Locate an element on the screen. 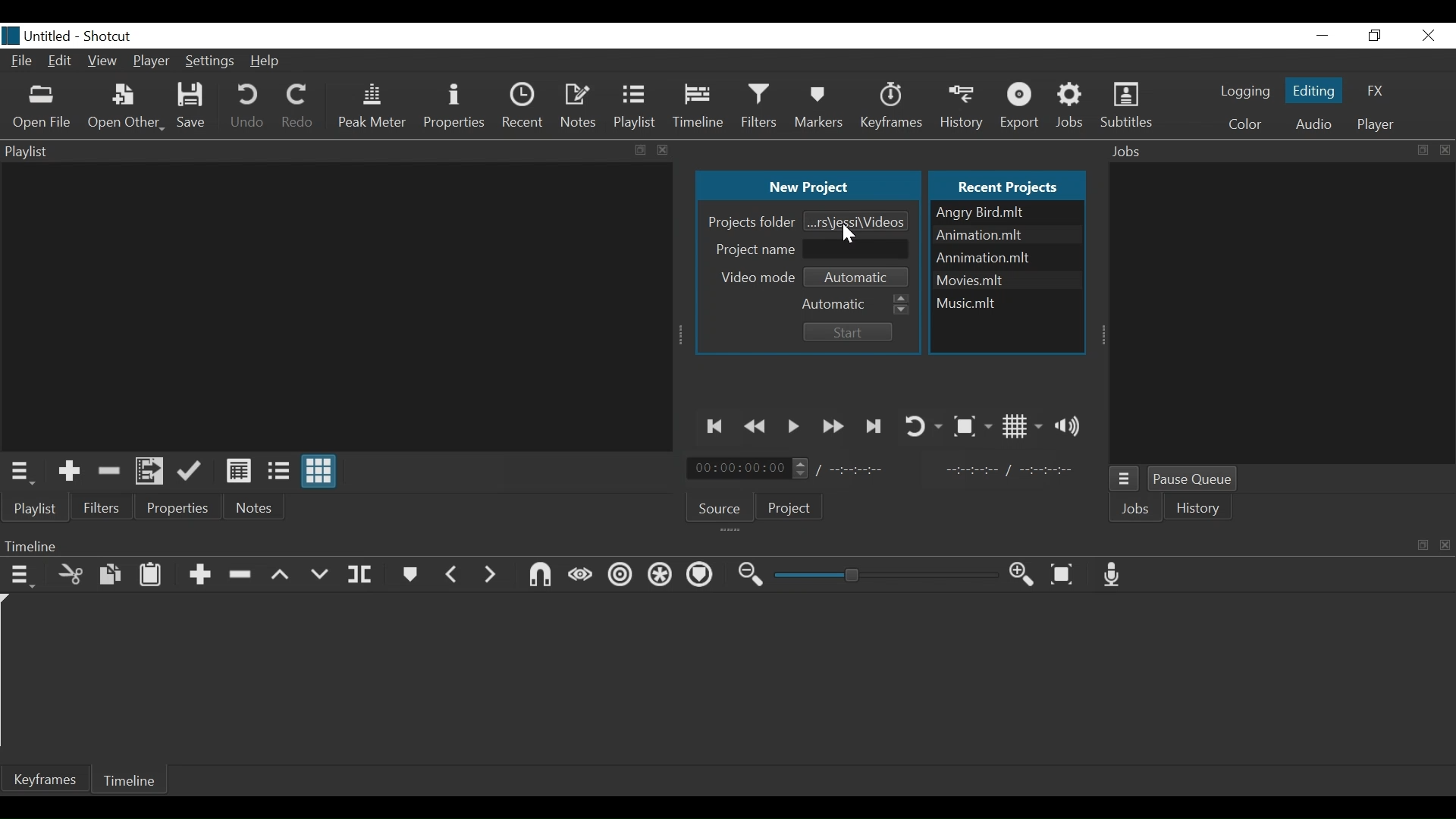 This screenshot has height=819, width=1456. Record audio is located at coordinates (1116, 575).